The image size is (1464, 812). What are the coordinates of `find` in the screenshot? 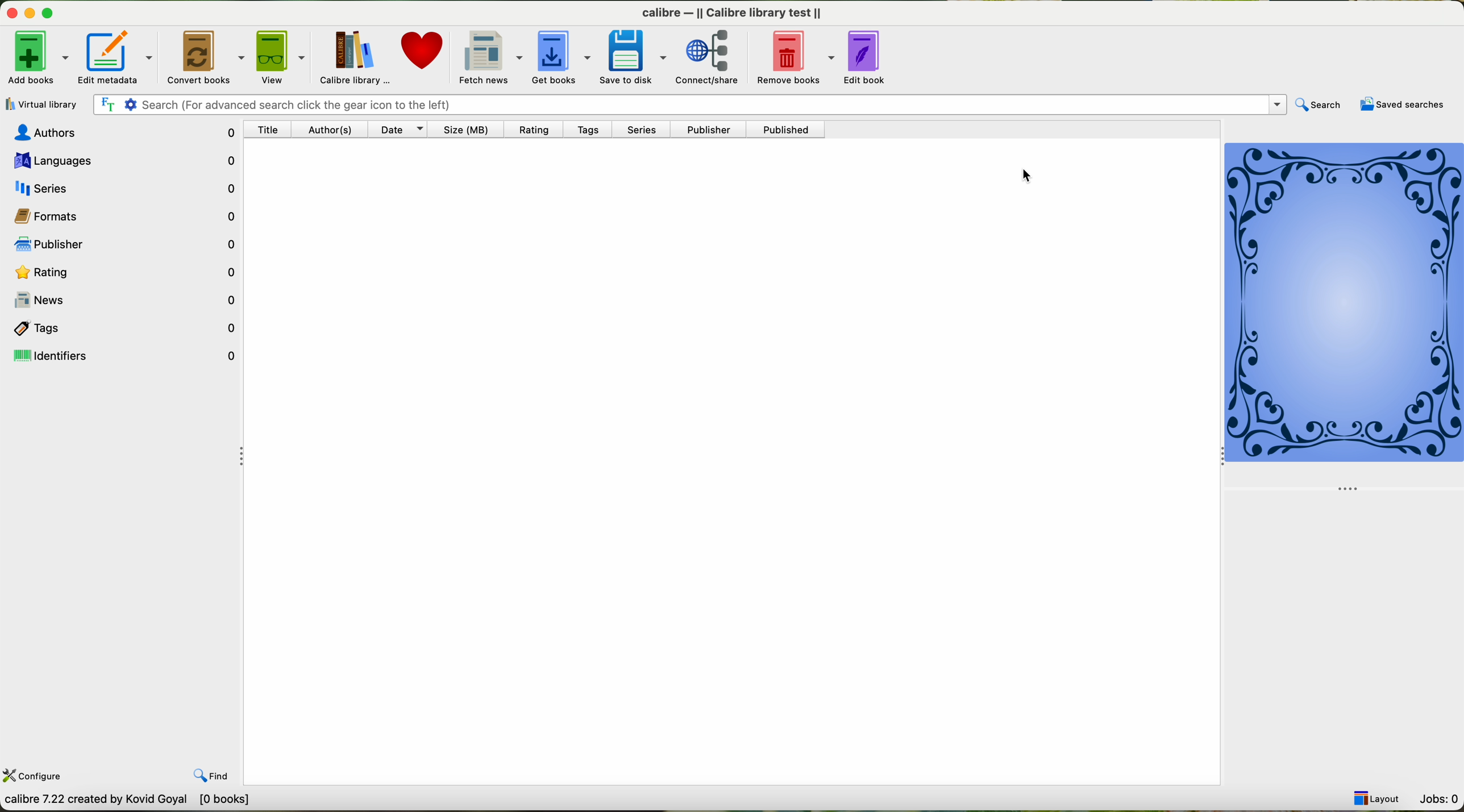 It's located at (202, 767).